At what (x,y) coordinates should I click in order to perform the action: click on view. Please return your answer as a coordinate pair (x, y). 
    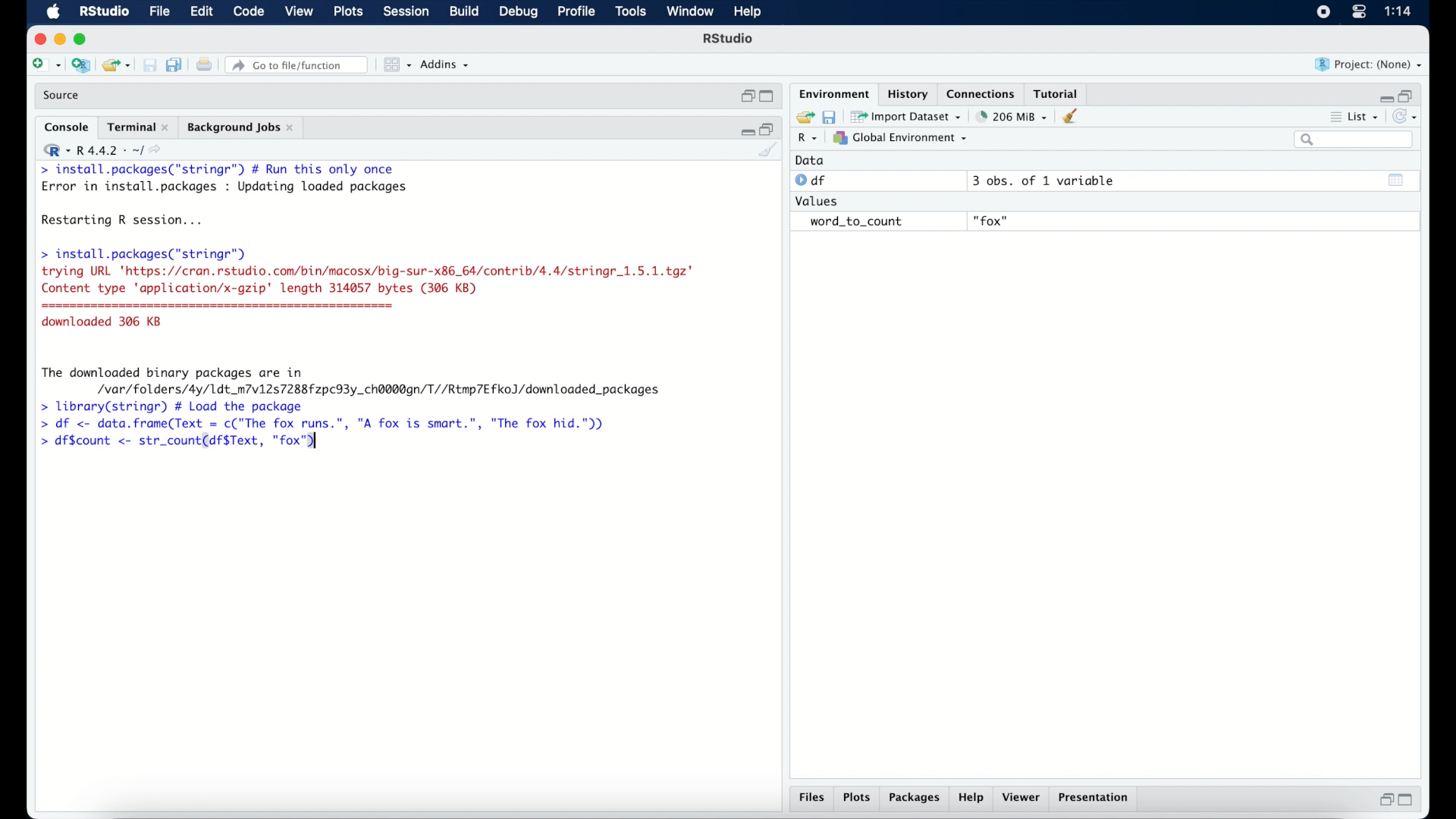
    Looking at the image, I should click on (299, 12).